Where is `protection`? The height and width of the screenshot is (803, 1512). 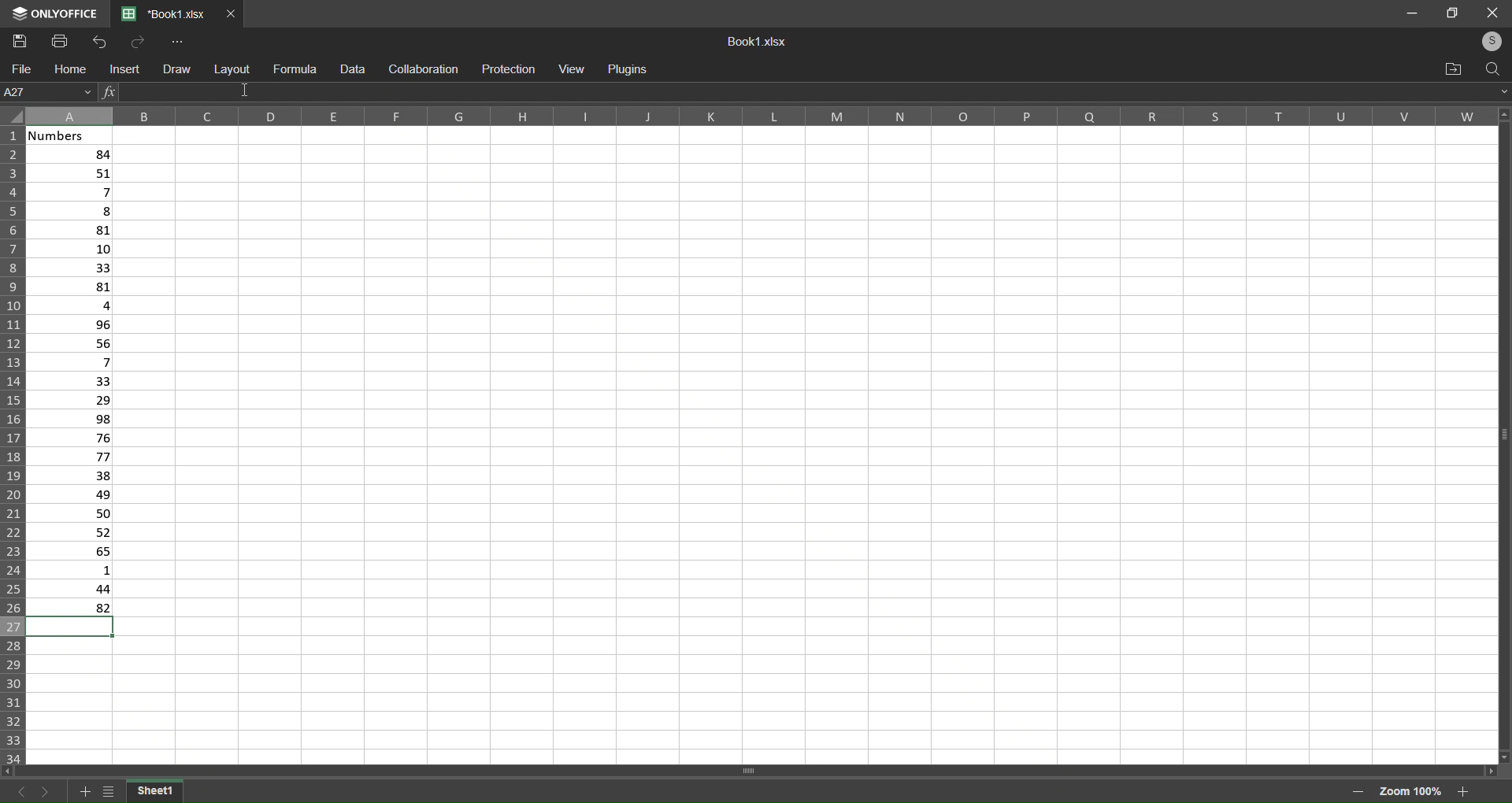 protection is located at coordinates (510, 70).